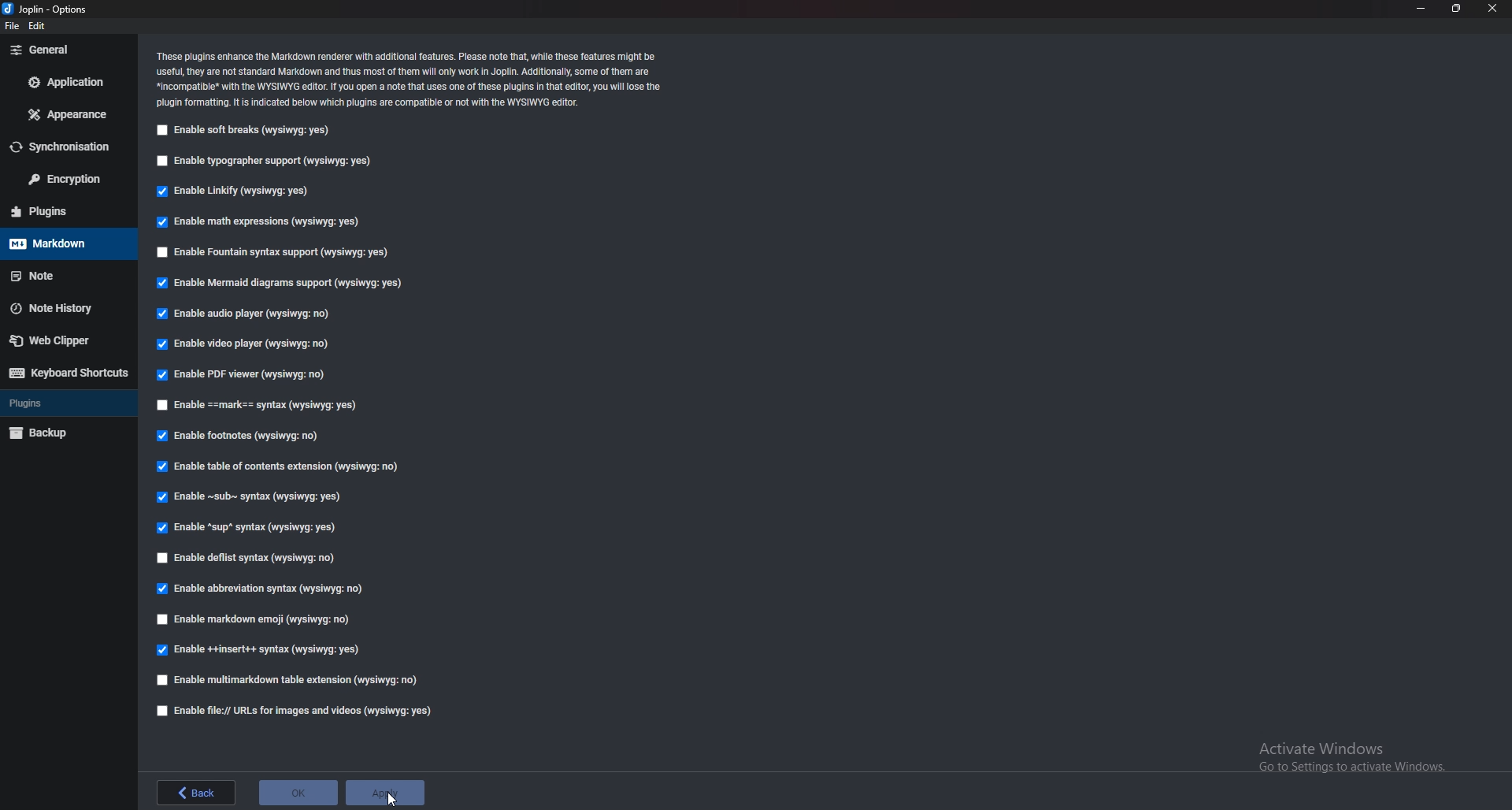  Describe the element at coordinates (239, 191) in the screenshot. I see `Enable linkify` at that location.